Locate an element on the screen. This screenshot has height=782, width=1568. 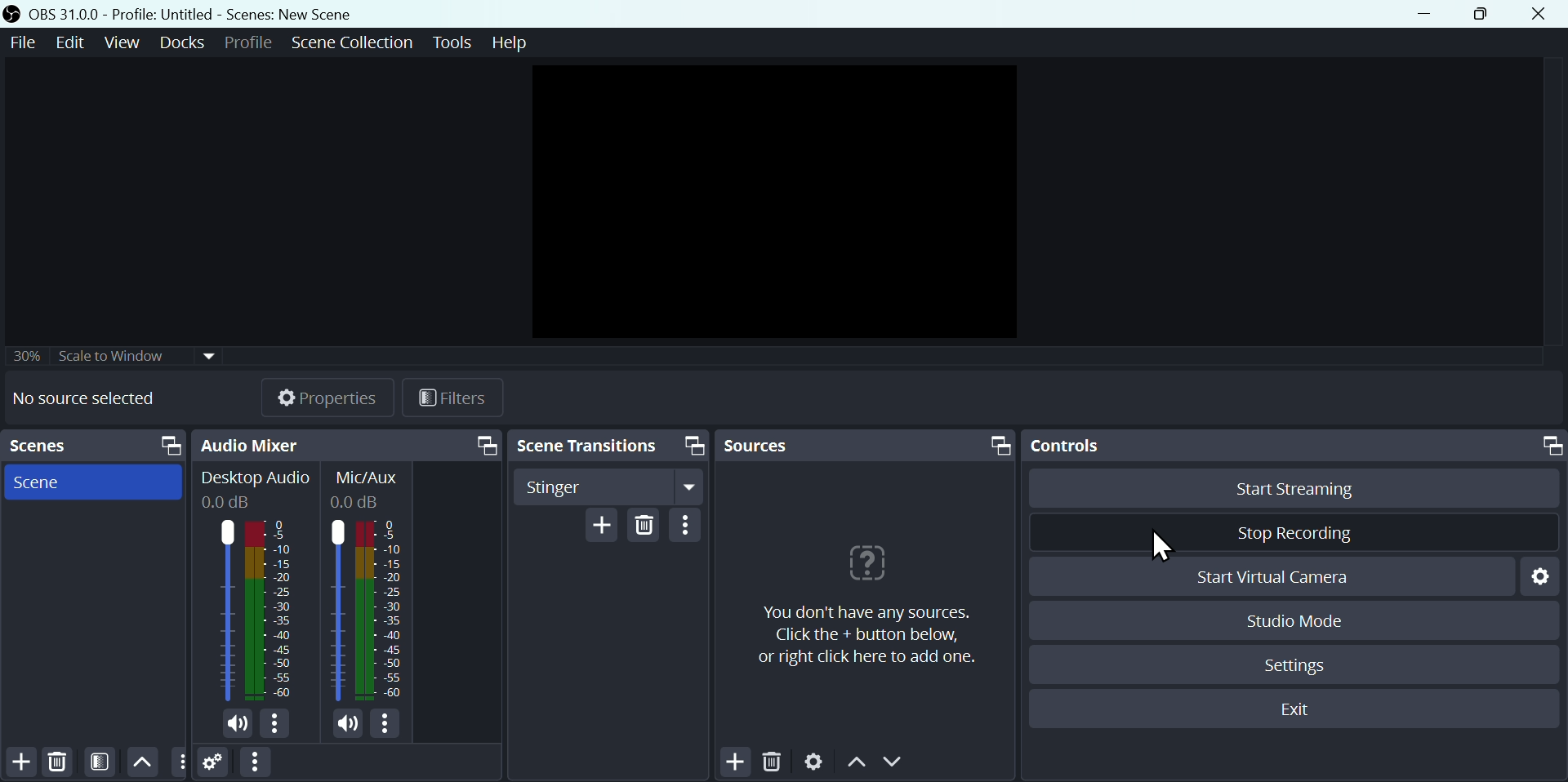
More options is located at coordinates (181, 762).